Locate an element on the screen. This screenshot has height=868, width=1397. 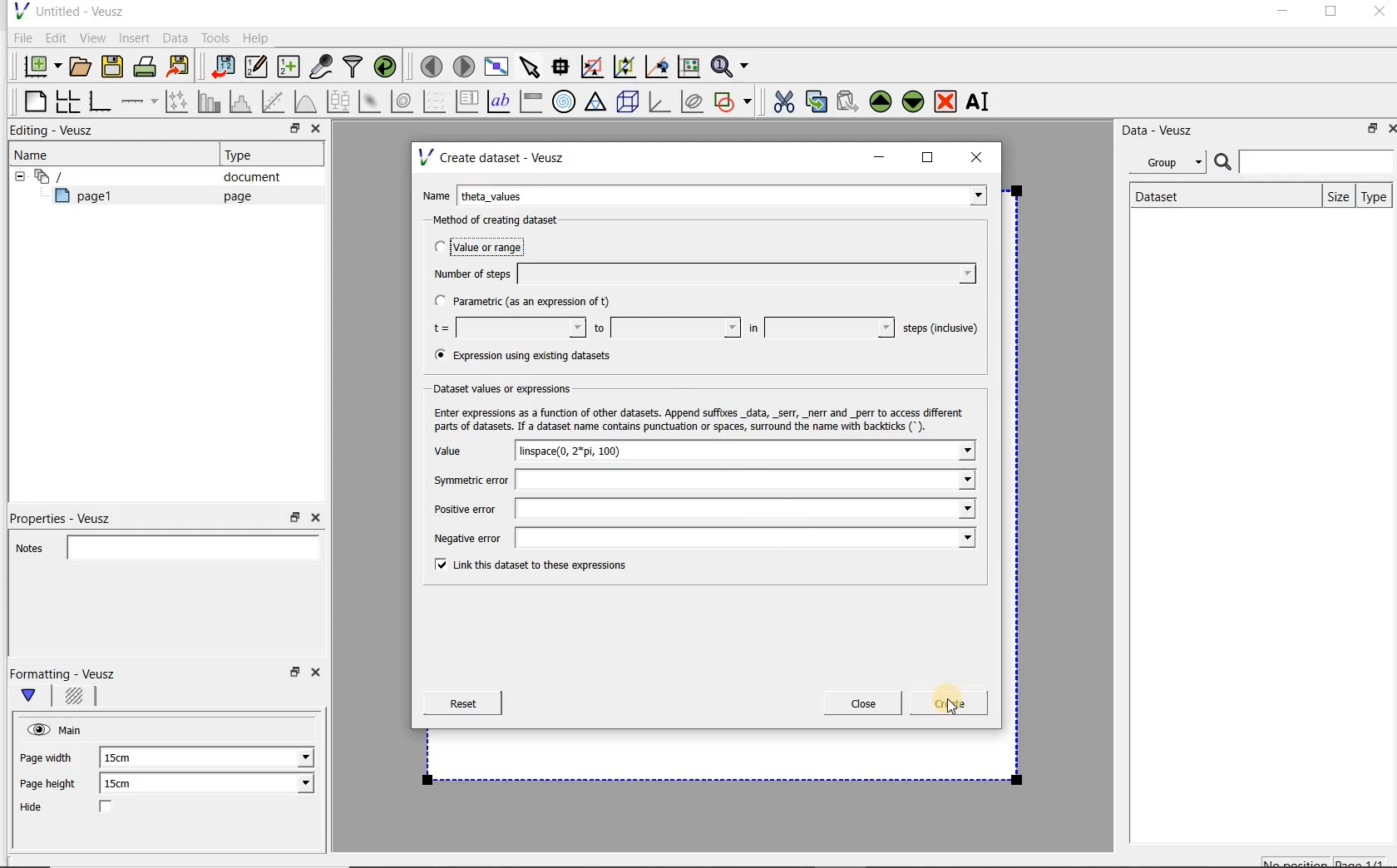
Move the selected widget down is located at coordinates (914, 101).